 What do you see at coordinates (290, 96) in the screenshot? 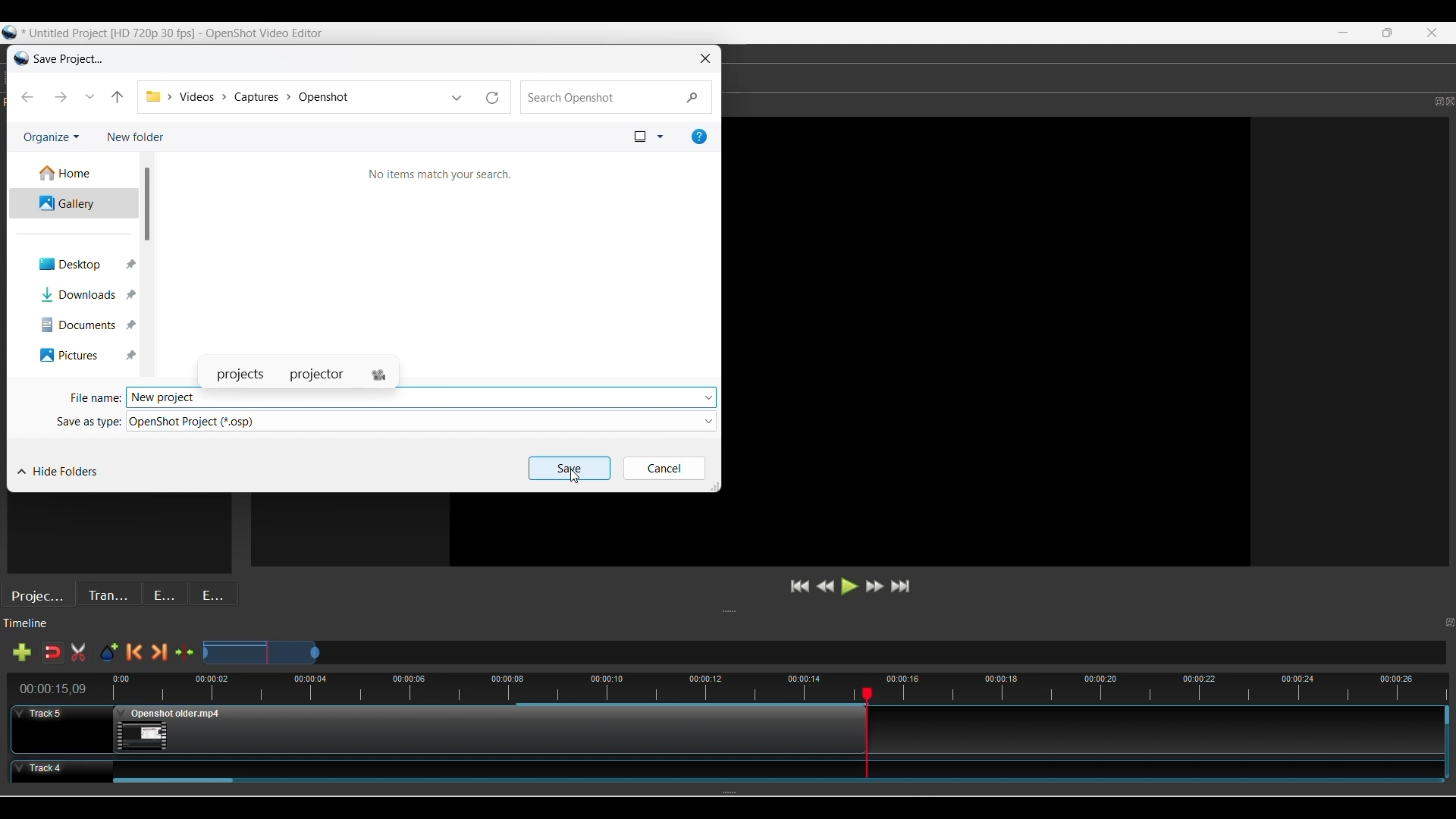
I see `Folder location` at bounding box center [290, 96].